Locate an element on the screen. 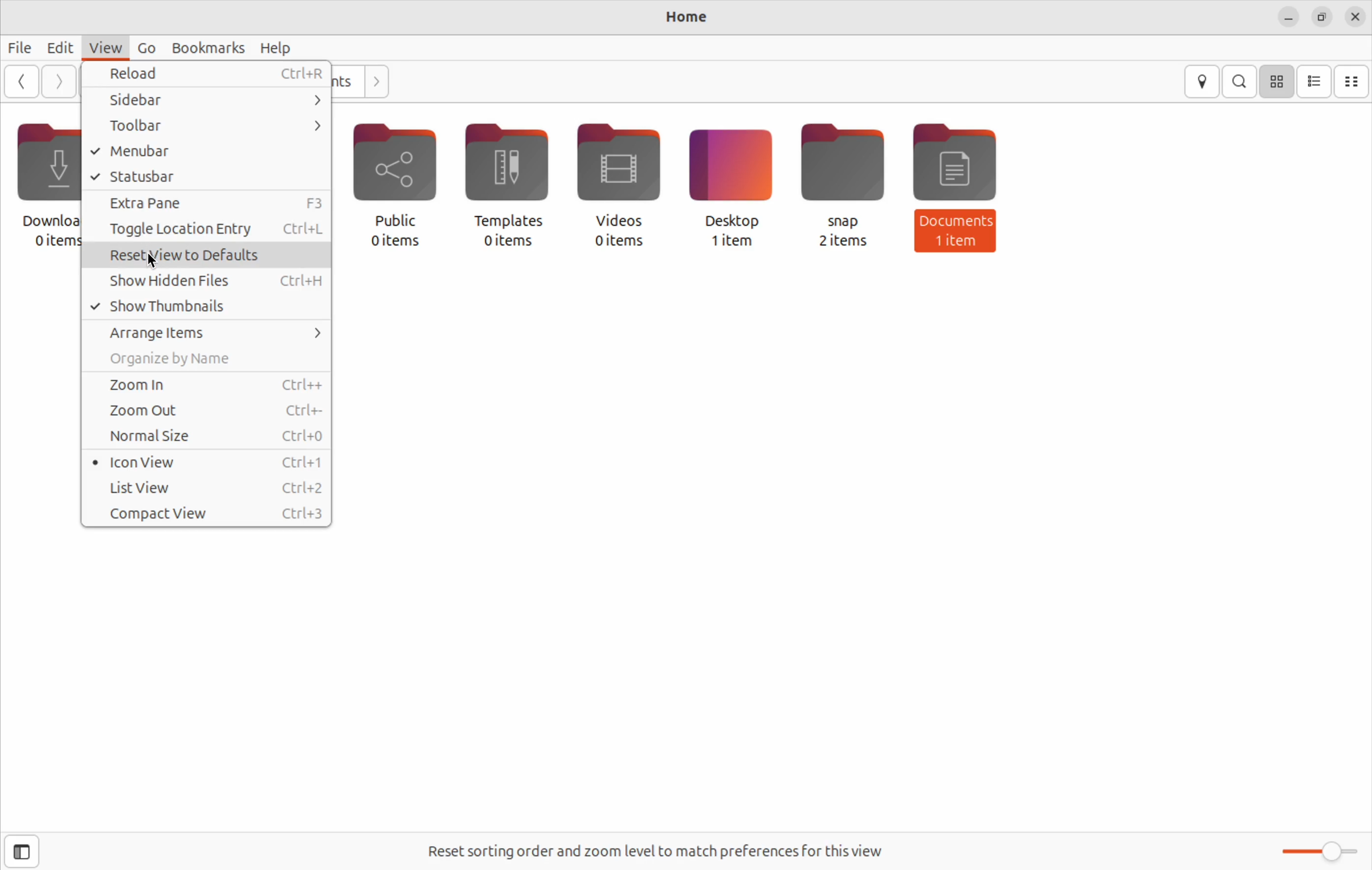 The image size is (1372, 870). Reload is located at coordinates (207, 76).